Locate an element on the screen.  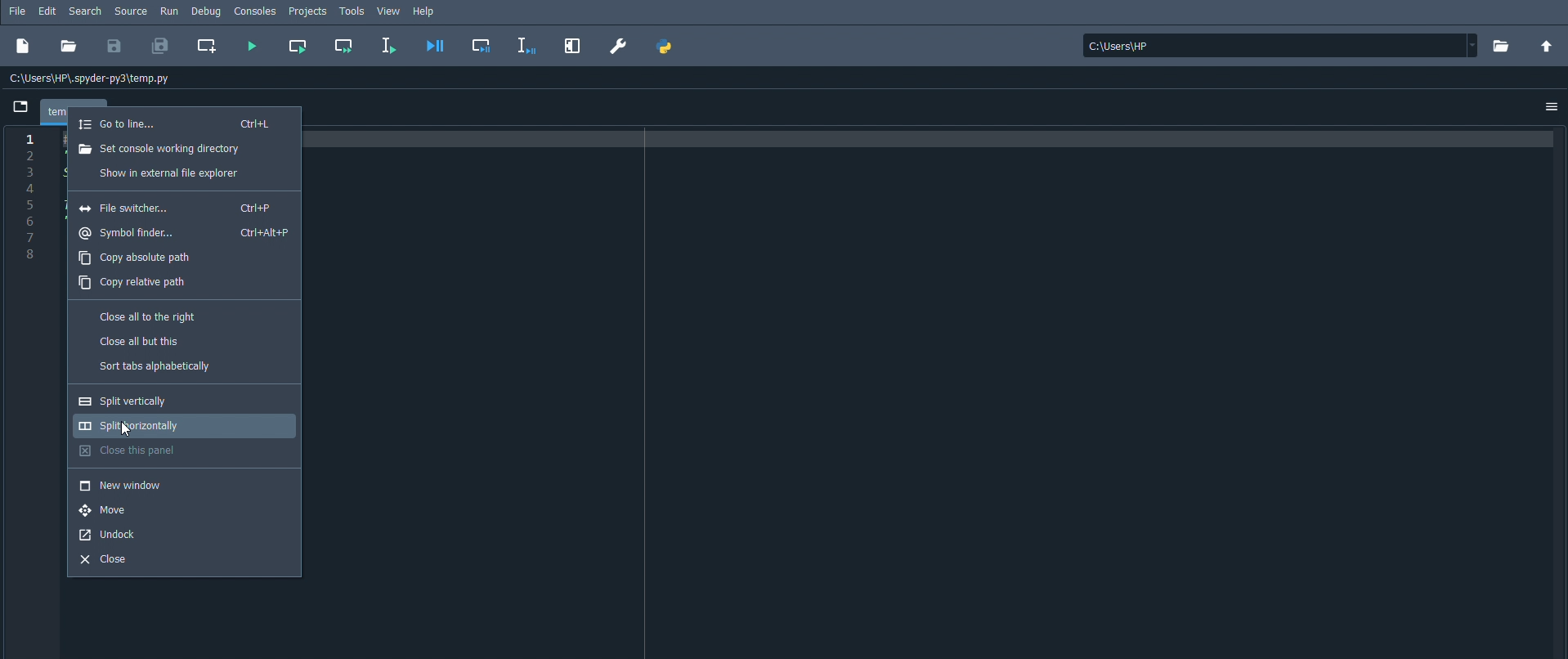
Projects is located at coordinates (308, 11).